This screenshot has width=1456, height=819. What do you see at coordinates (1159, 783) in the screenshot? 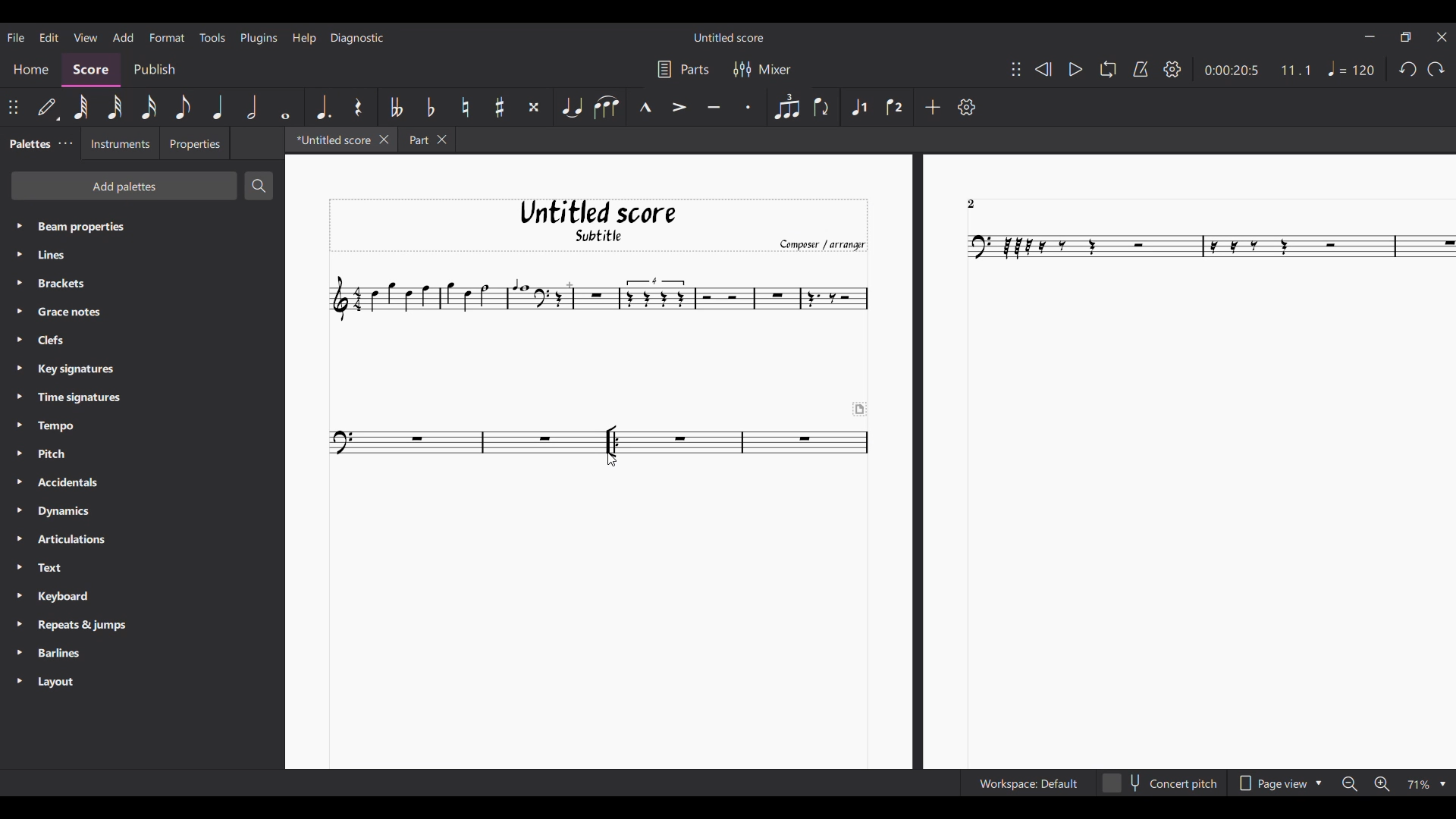
I see `Toggle for concert pitch` at bounding box center [1159, 783].